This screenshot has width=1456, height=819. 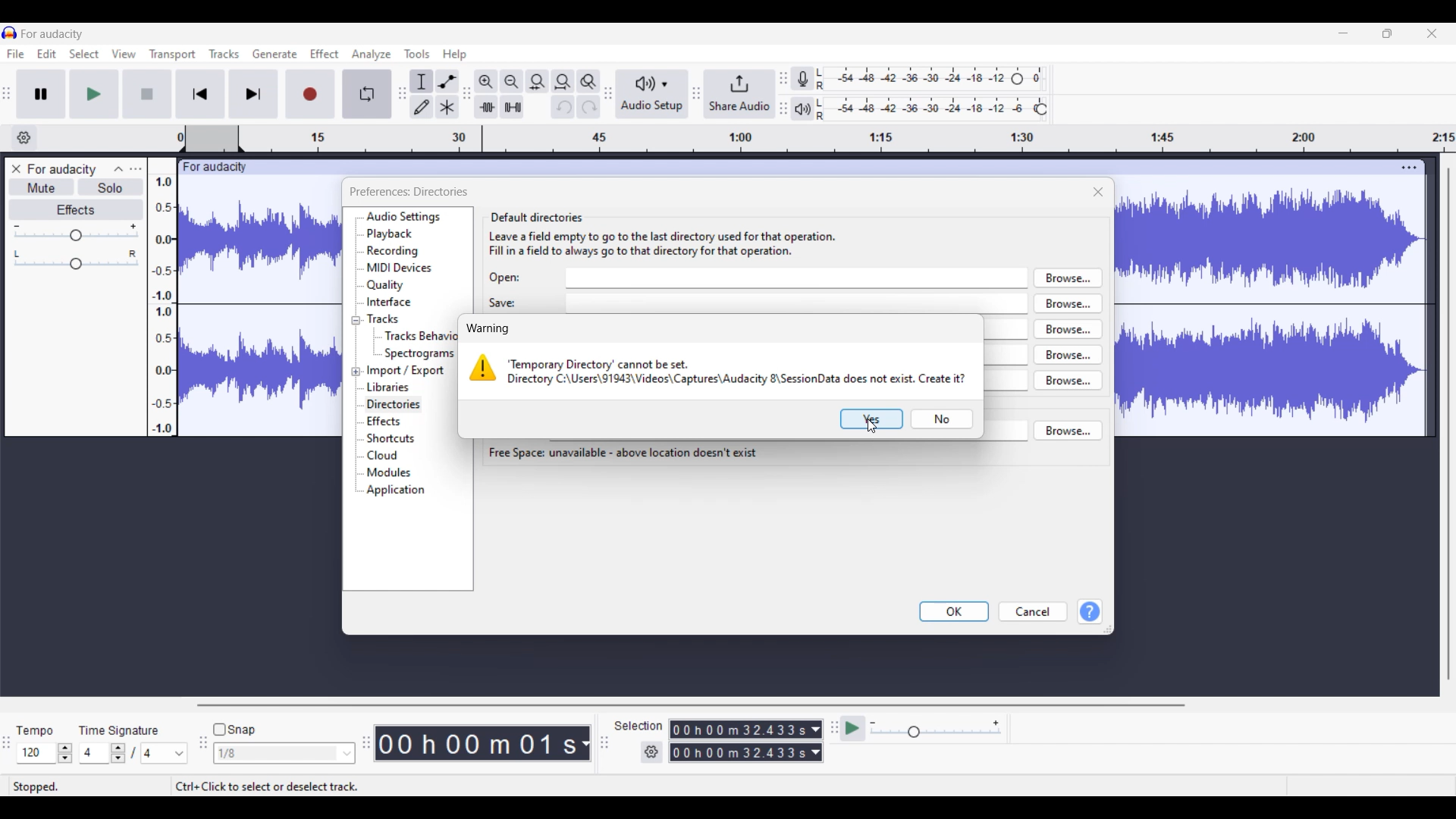 What do you see at coordinates (36, 753) in the screenshot?
I see `Input tempo` at bounding box center [36, 753].